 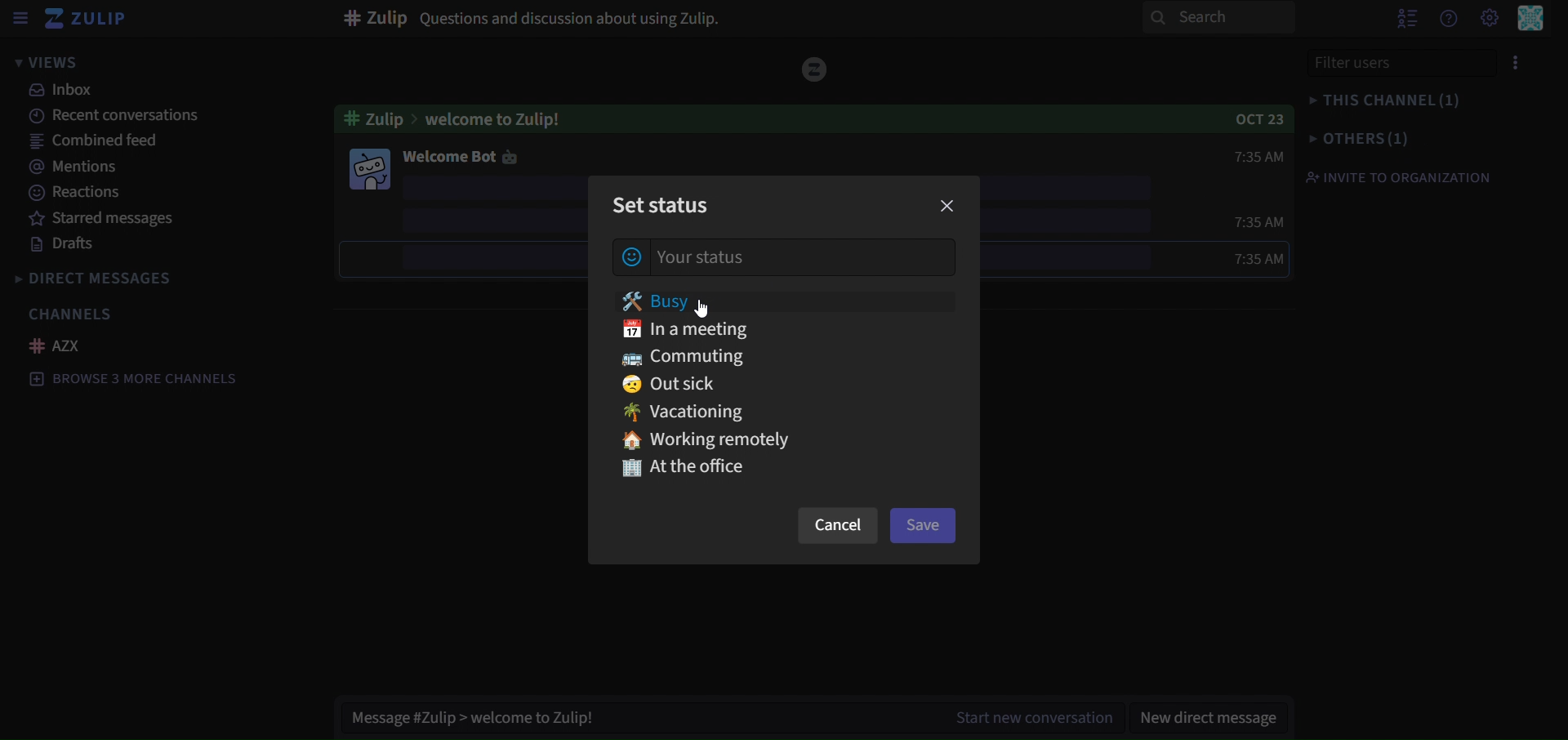 I want to click on perssonal menu, so click(x=1530, y=19).